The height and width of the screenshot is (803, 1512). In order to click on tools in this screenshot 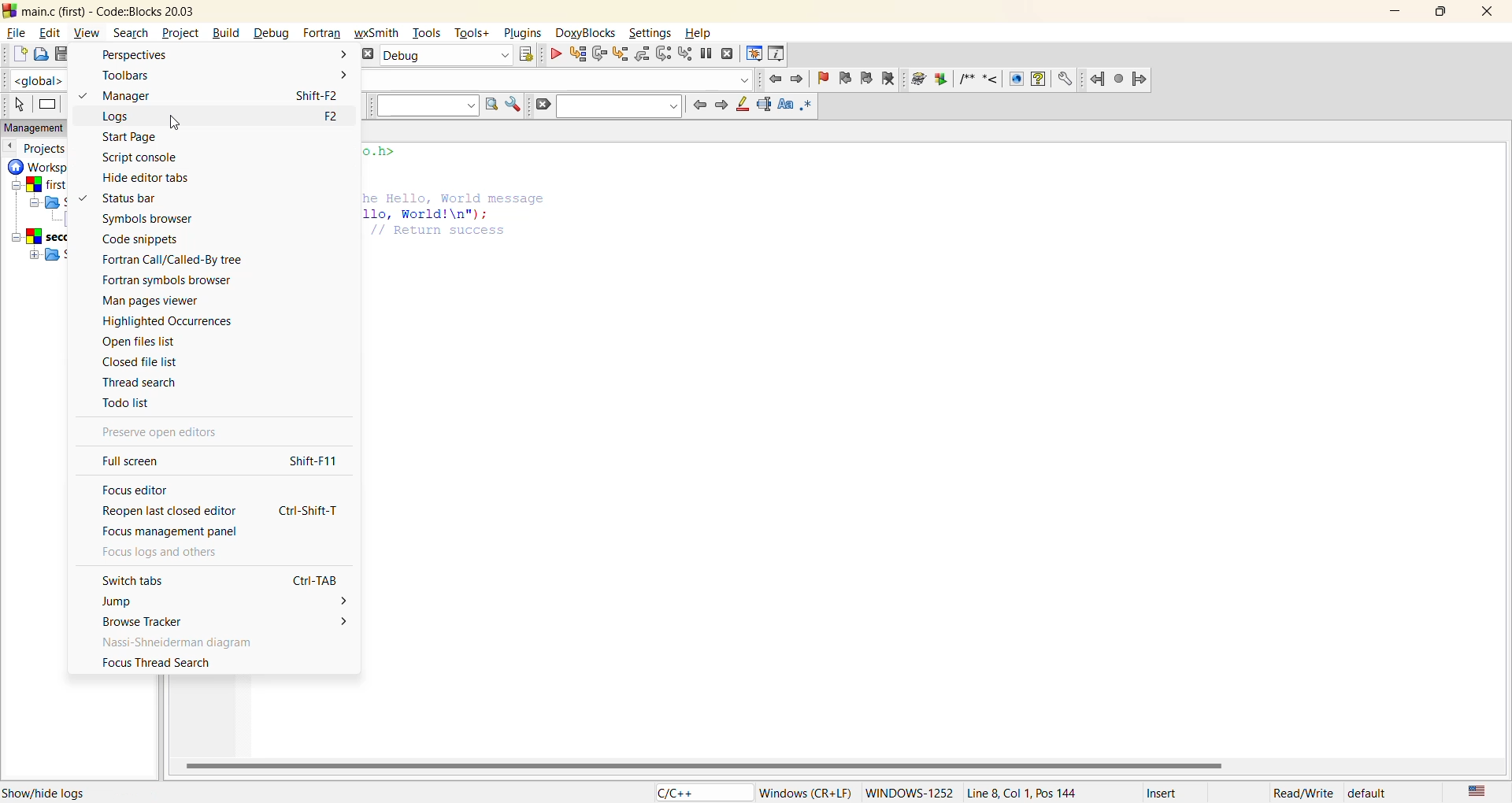, I will do `click(428, 33)`.